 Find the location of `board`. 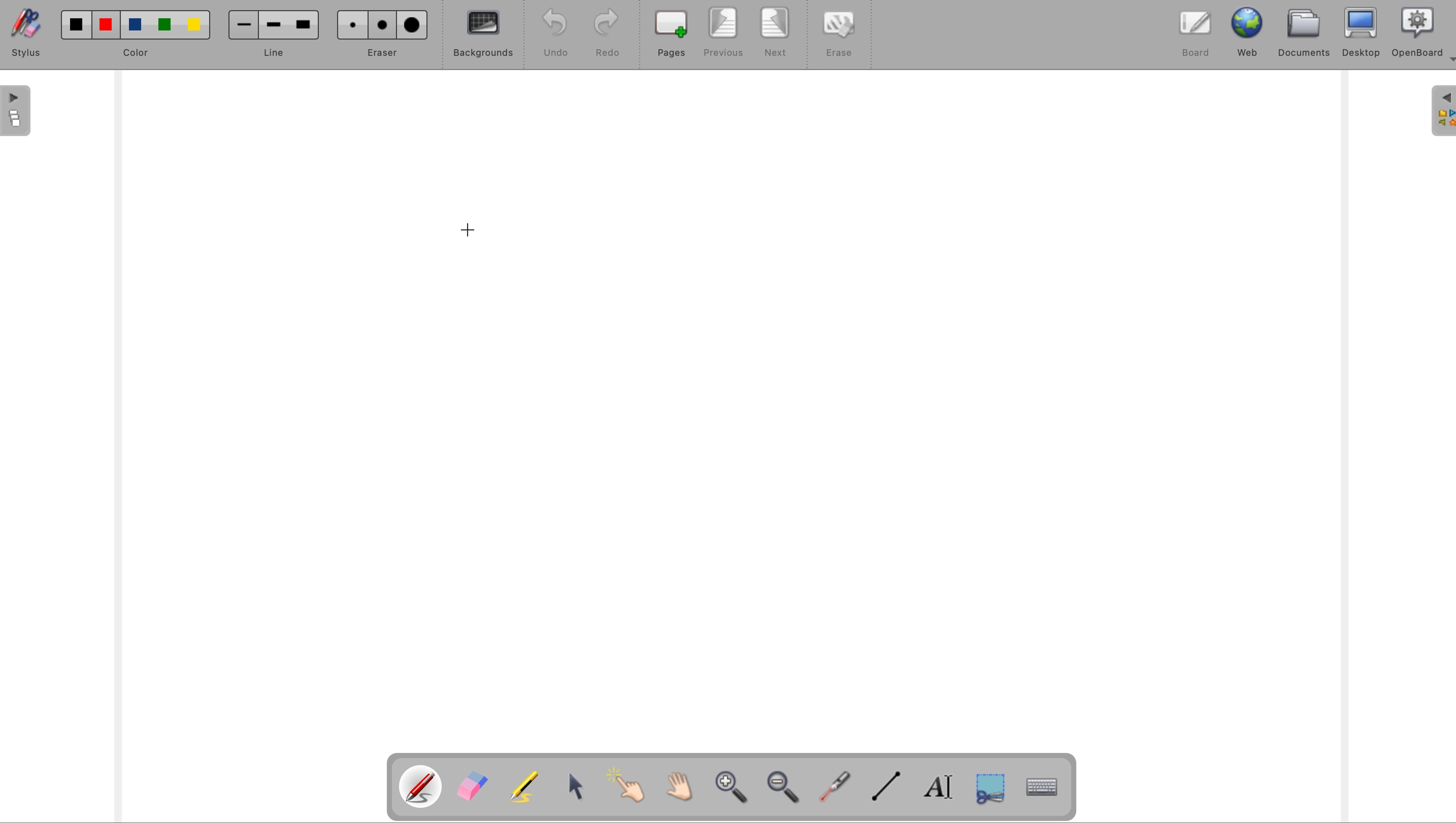

board is located at coordinates (1192, 37).